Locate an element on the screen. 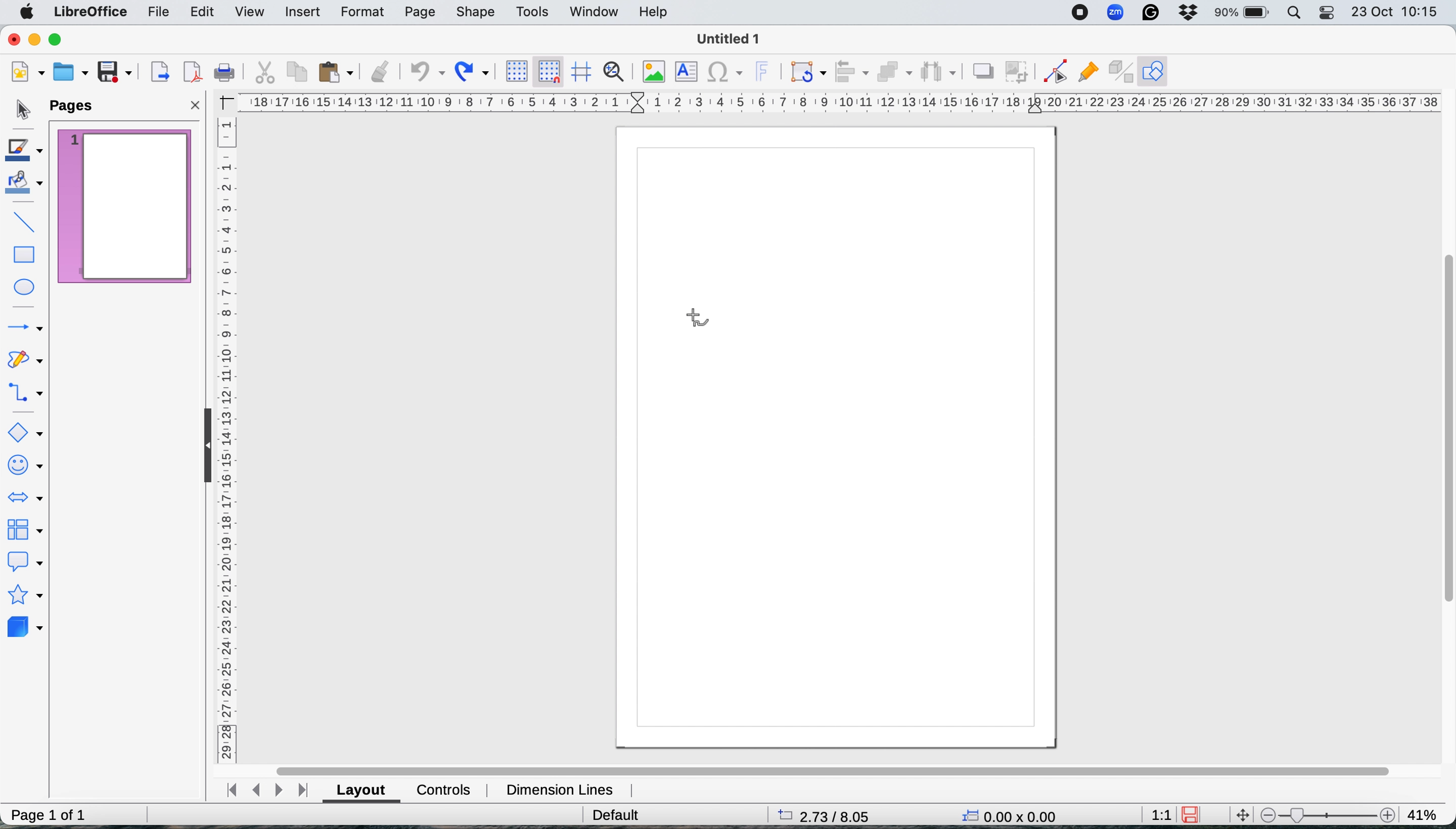 This screenshot has height=829, width=1456. flowchart is located at coordinates (27, 532).